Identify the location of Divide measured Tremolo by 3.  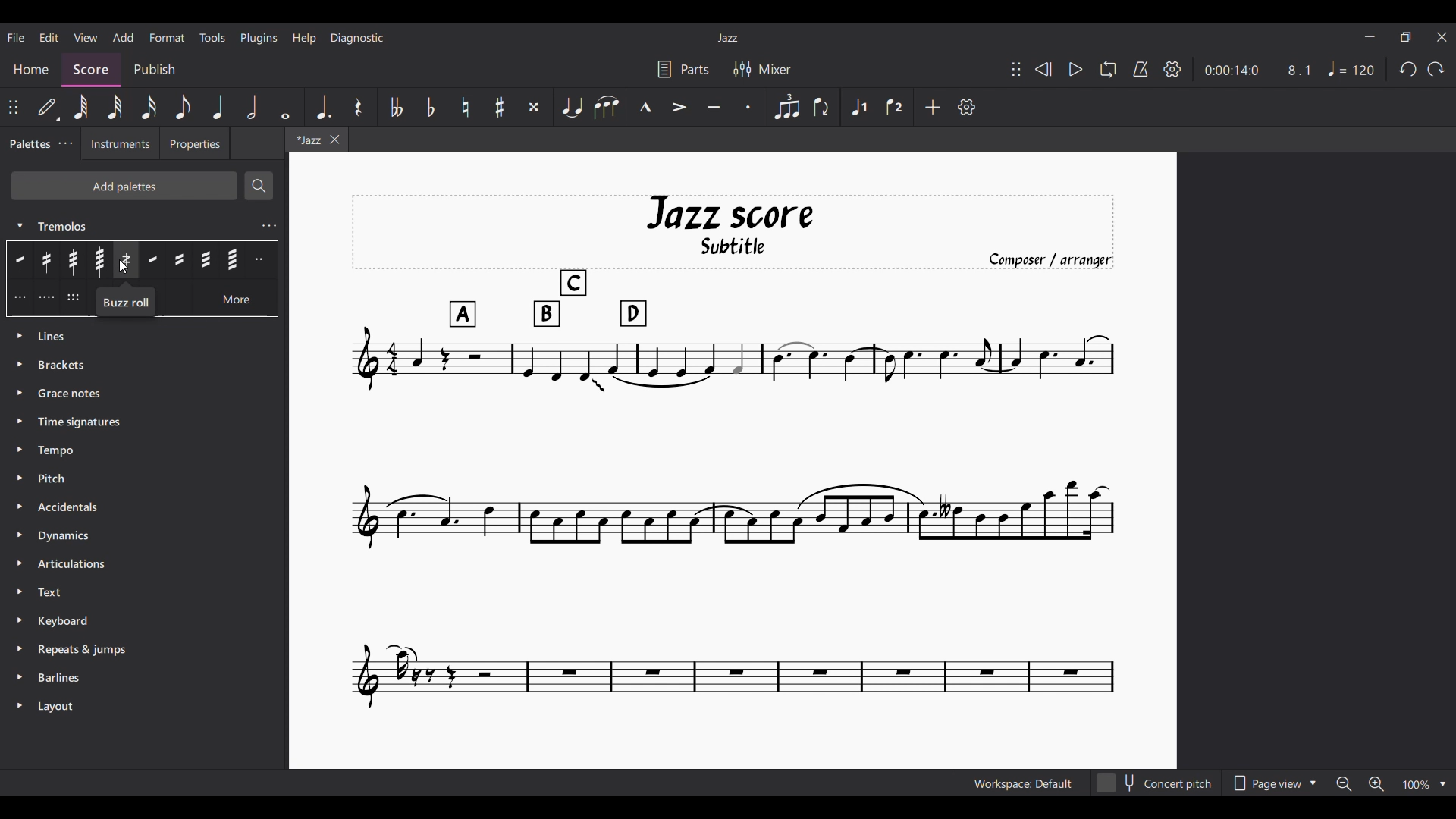
(20, 297).